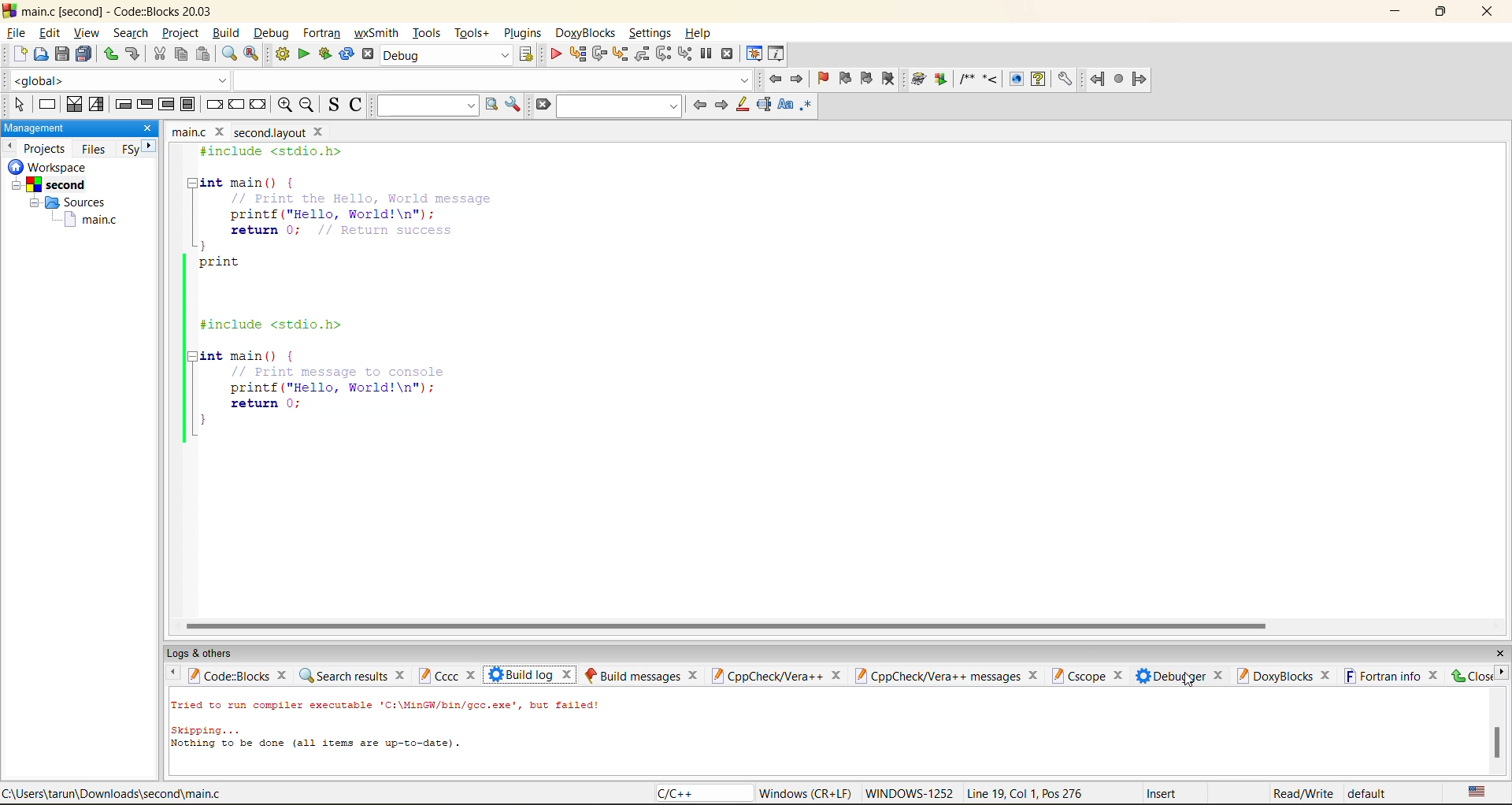  Describe the element at coordinates (1077, 792) in the screenshot. I see `metadata` at that location.